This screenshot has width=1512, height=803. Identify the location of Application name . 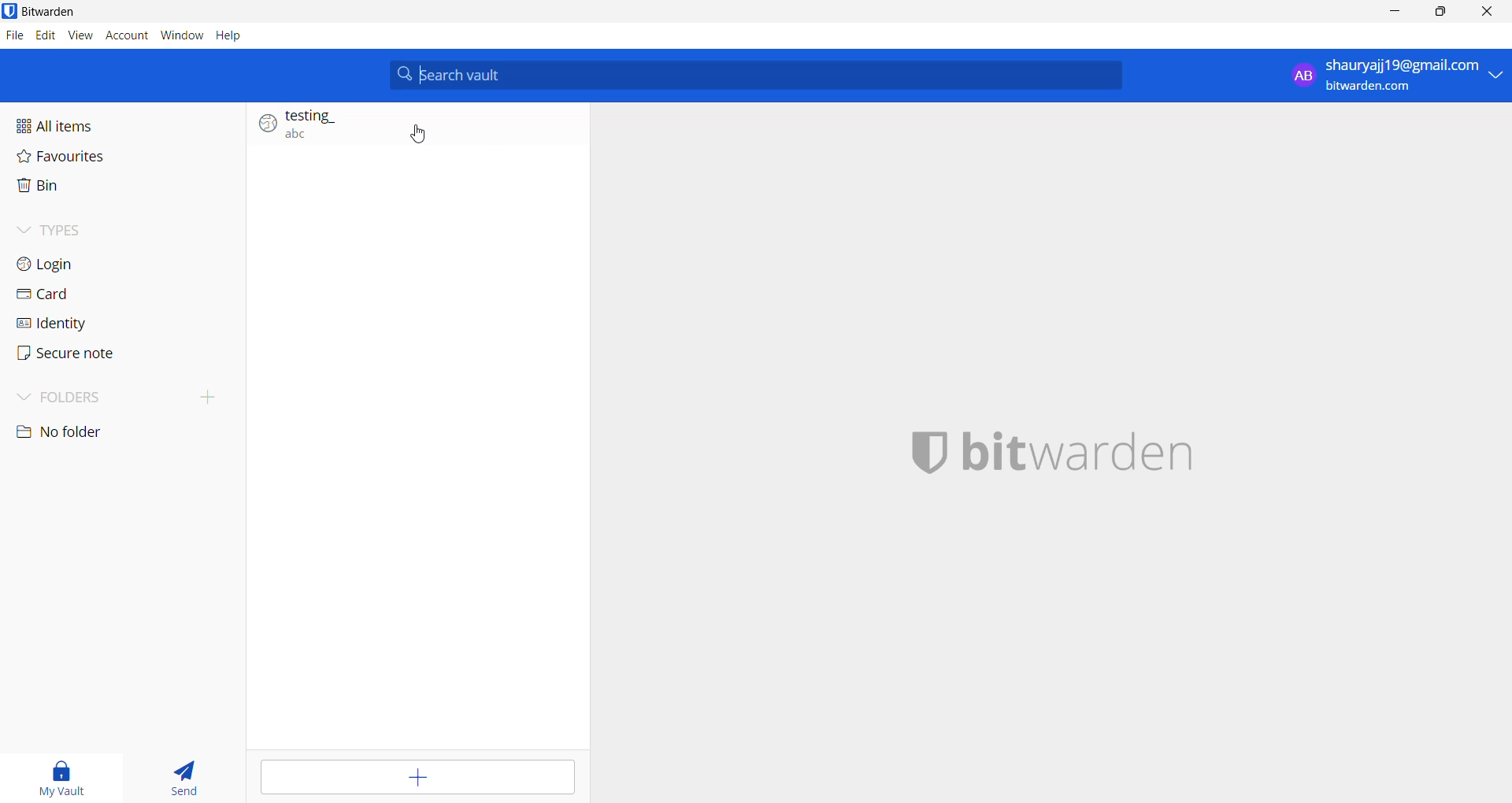
(69, 12).